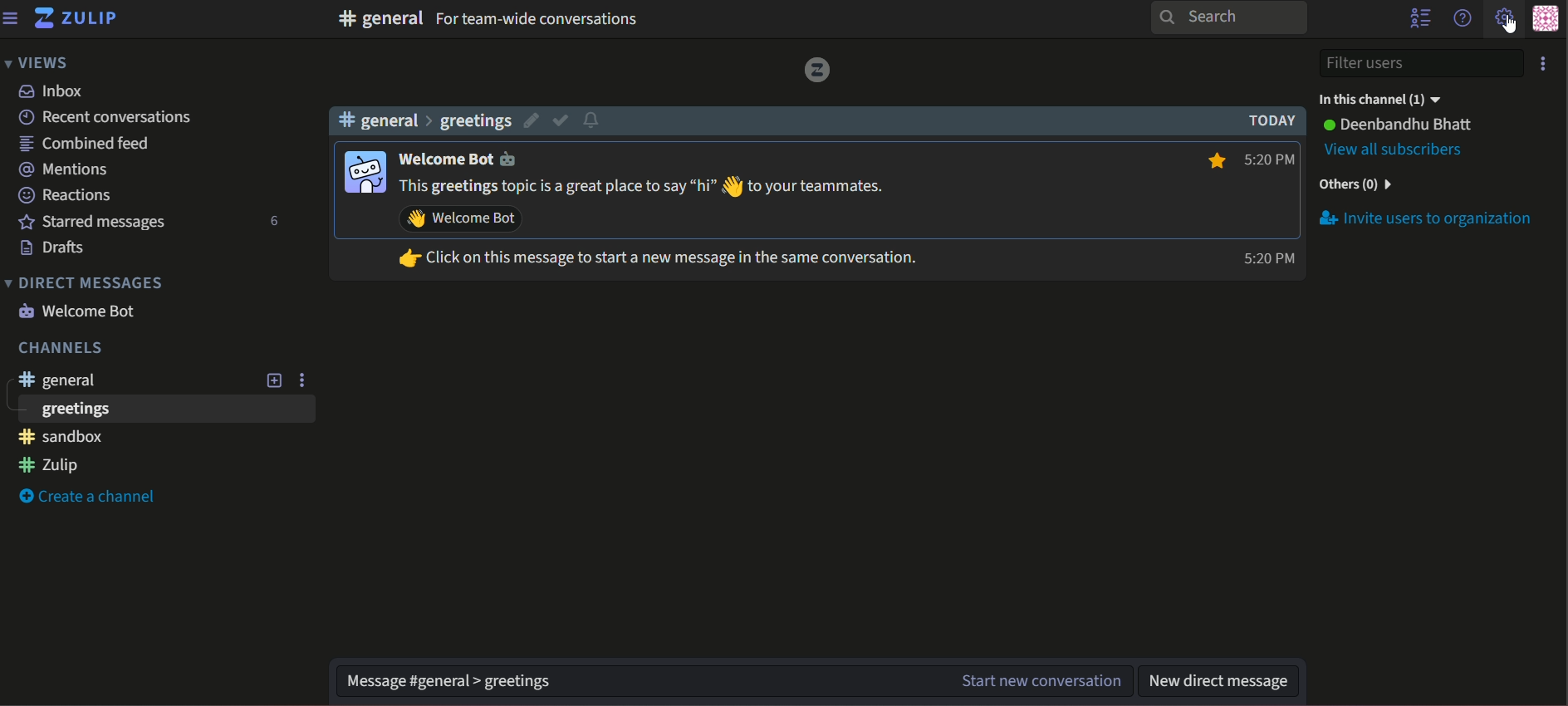  I want to click on menu bar, so click(12, 17).